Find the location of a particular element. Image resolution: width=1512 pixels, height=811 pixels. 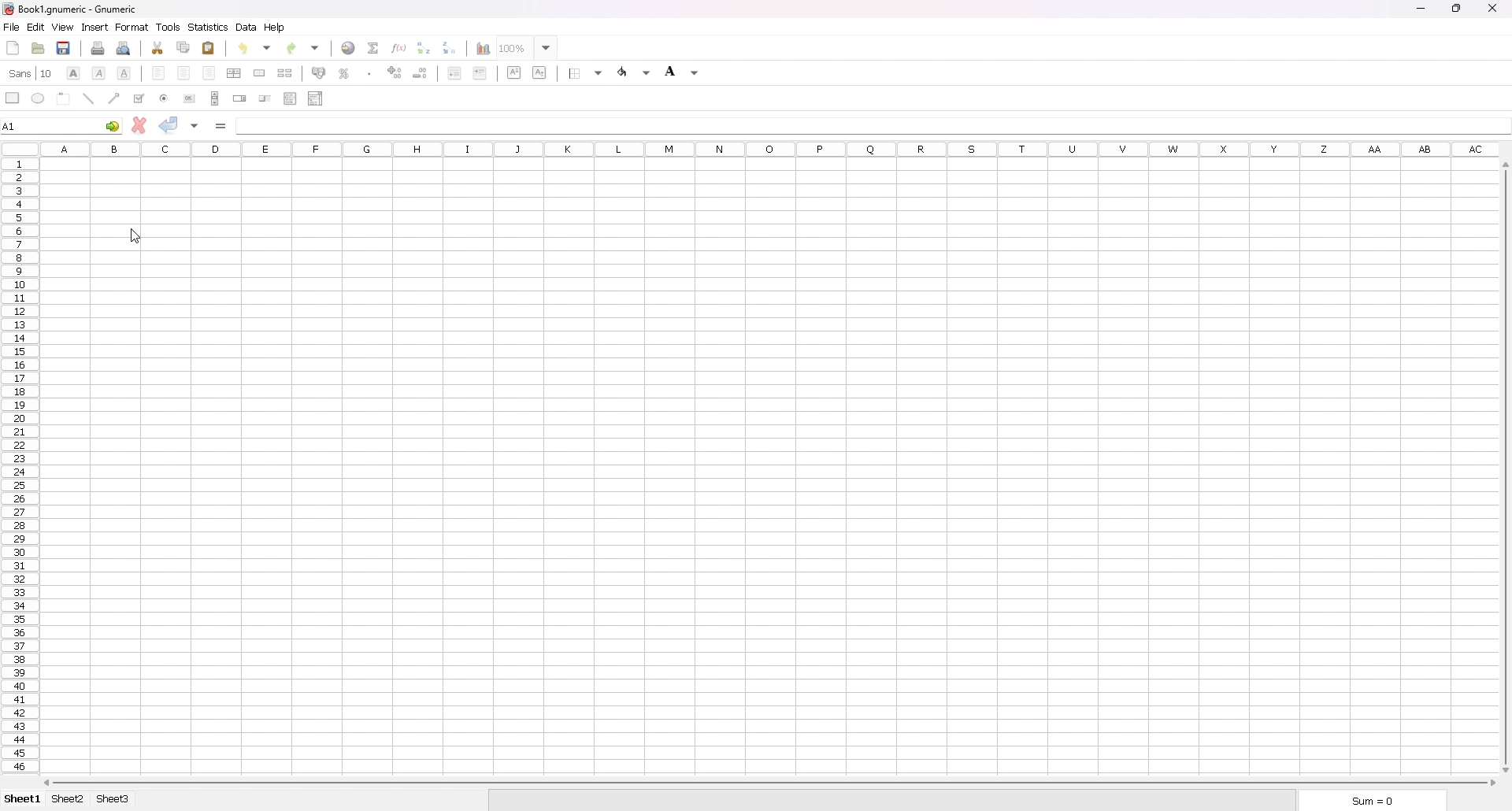

zoom is located at coordinates (527, 47).